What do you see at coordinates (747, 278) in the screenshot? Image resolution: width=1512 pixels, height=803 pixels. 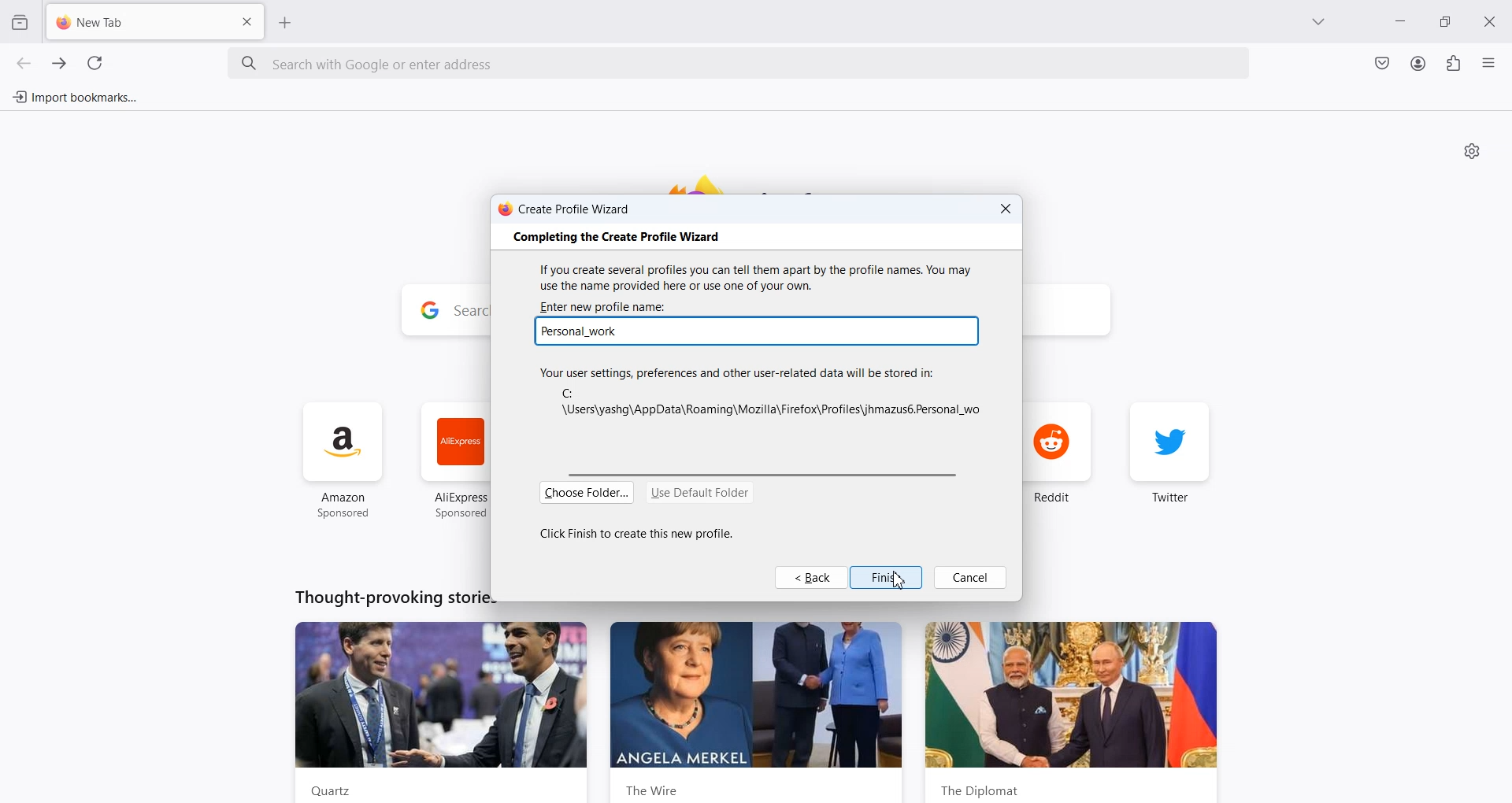 I see `If you create several profiles you can tell them apart by the profile names. You may
use the name provided here or use one of your own.` at bounding box center [747, 278].